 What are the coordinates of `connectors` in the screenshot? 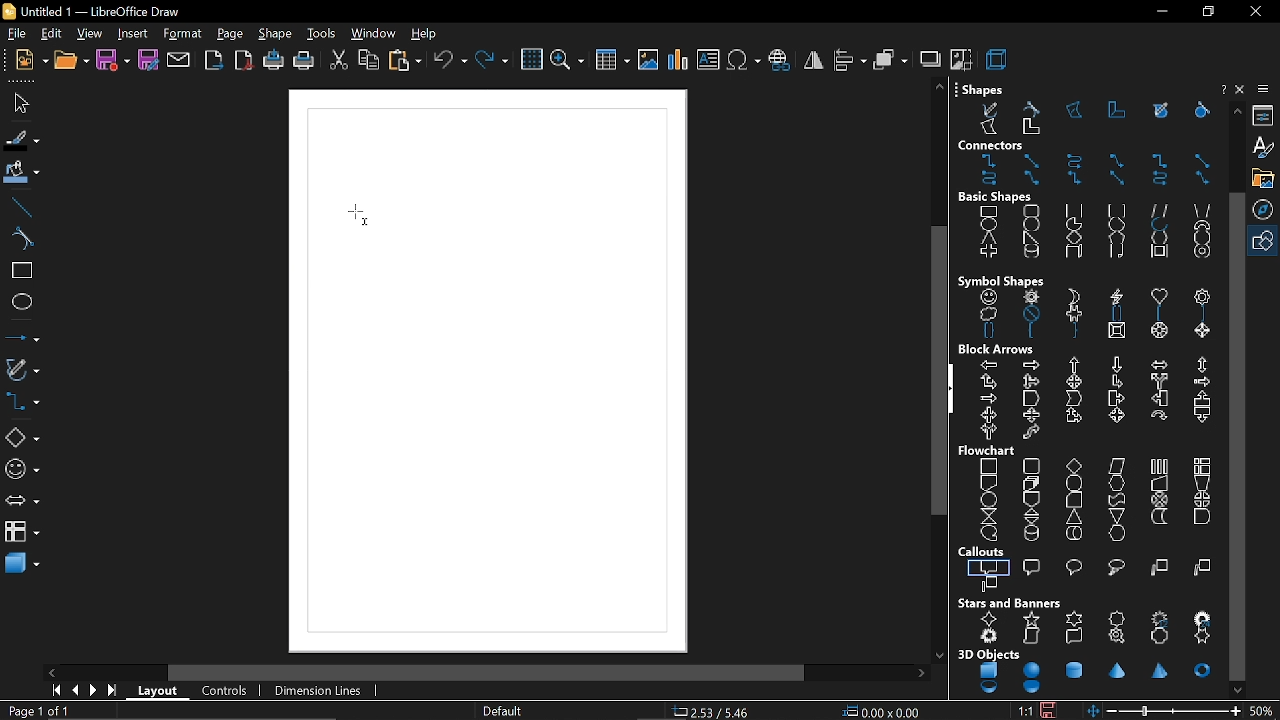 It's located at (993, 145).